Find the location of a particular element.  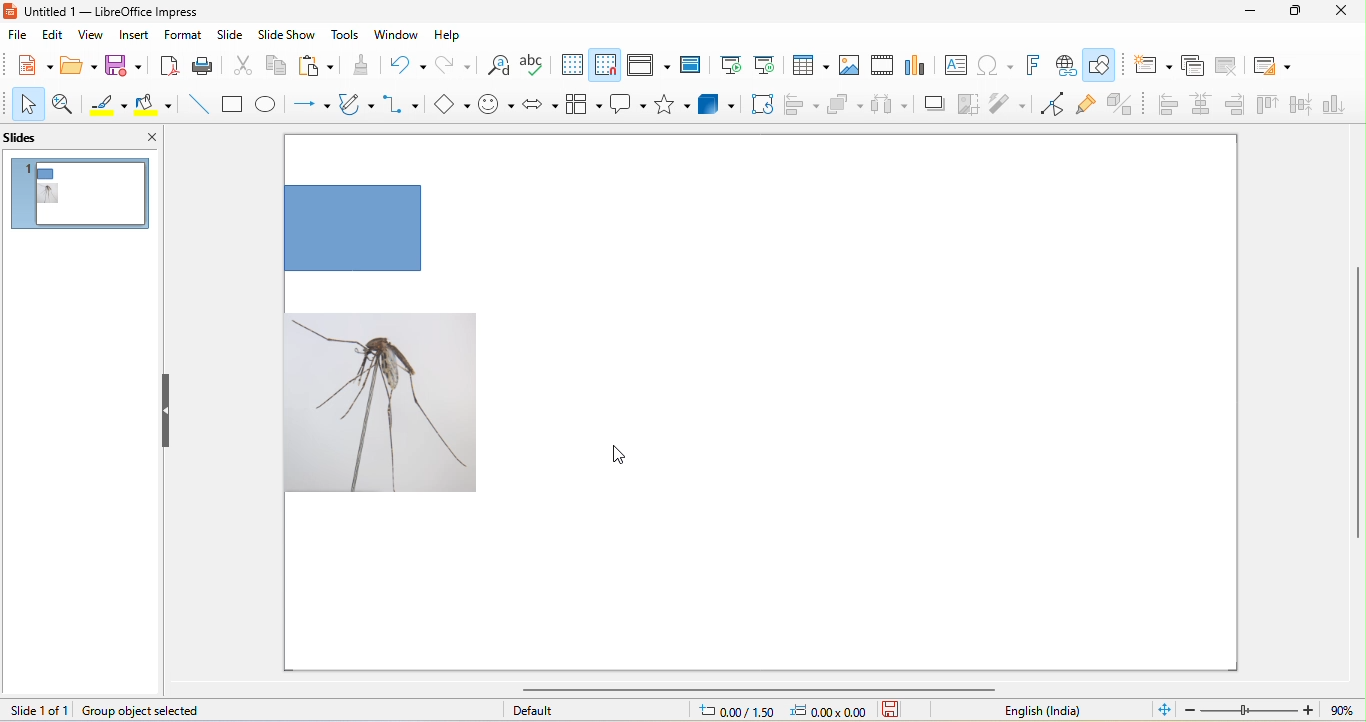

shape is located at coordinates (368, 229).